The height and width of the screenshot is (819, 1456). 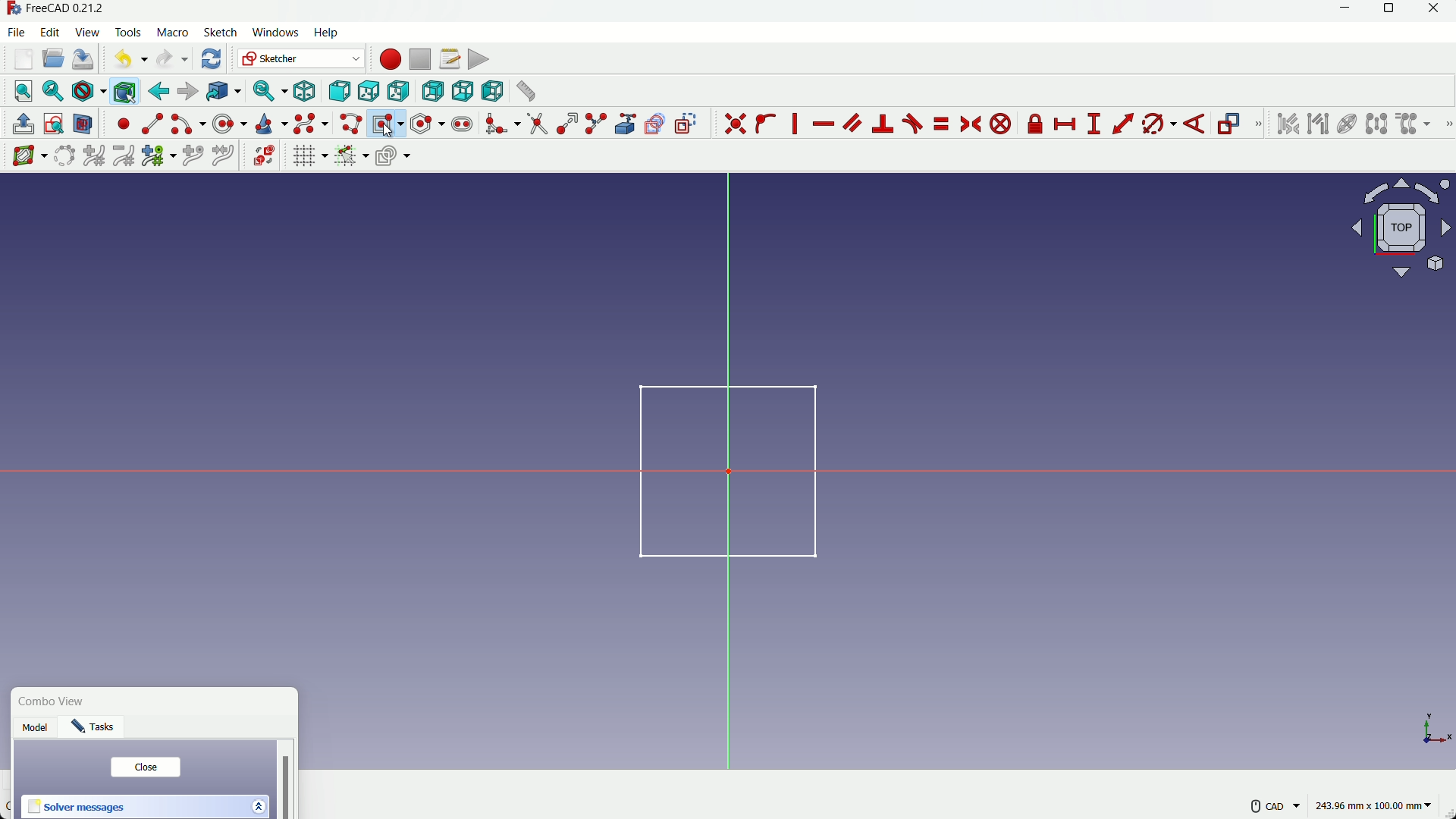 What do you see at coordinates (1066, 124) in the screenshot?
I see `constraint horizontal distance` at bounding box center [1066, 124].